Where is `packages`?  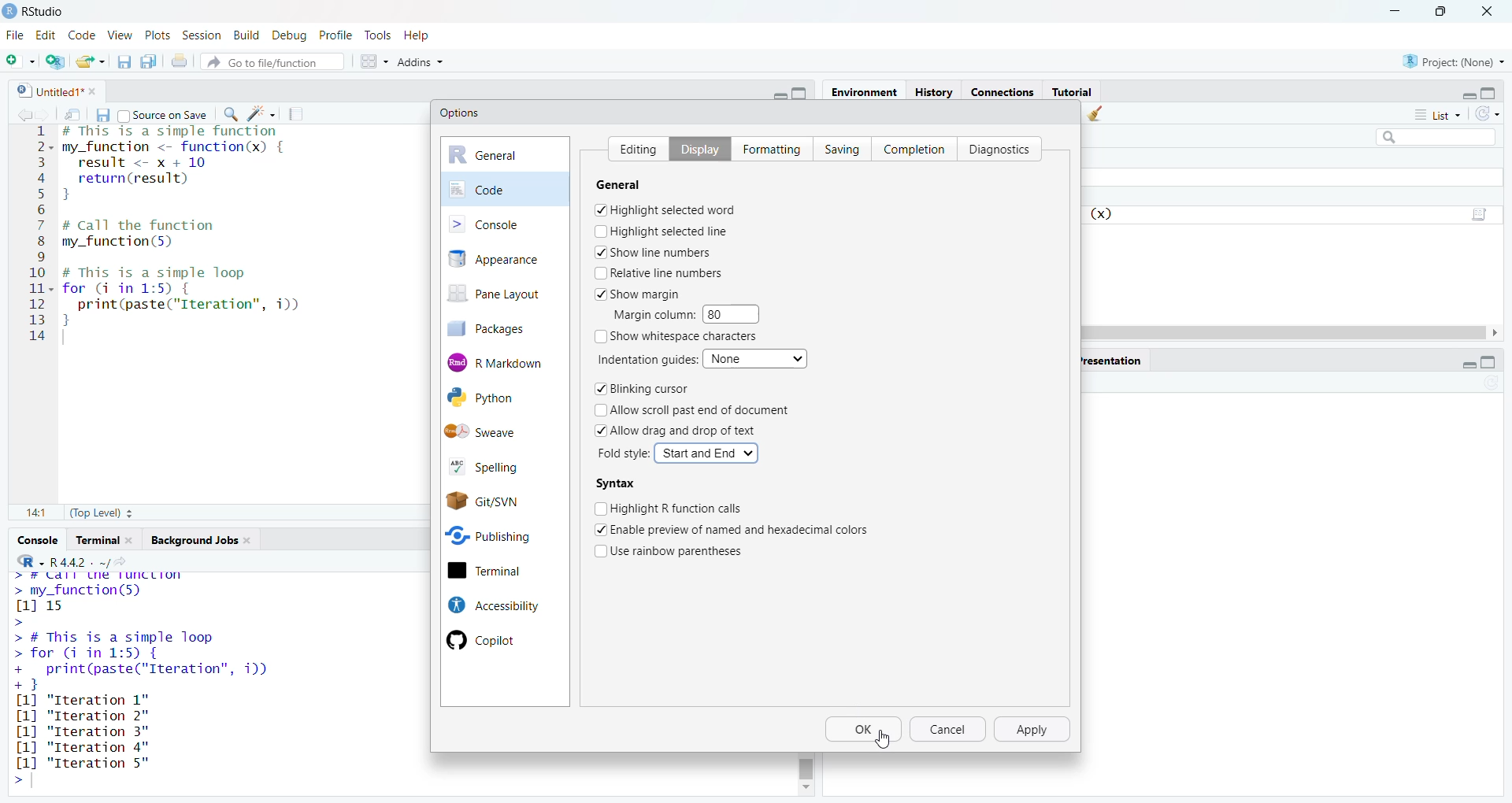
packages is located at coordinates (498, 328).